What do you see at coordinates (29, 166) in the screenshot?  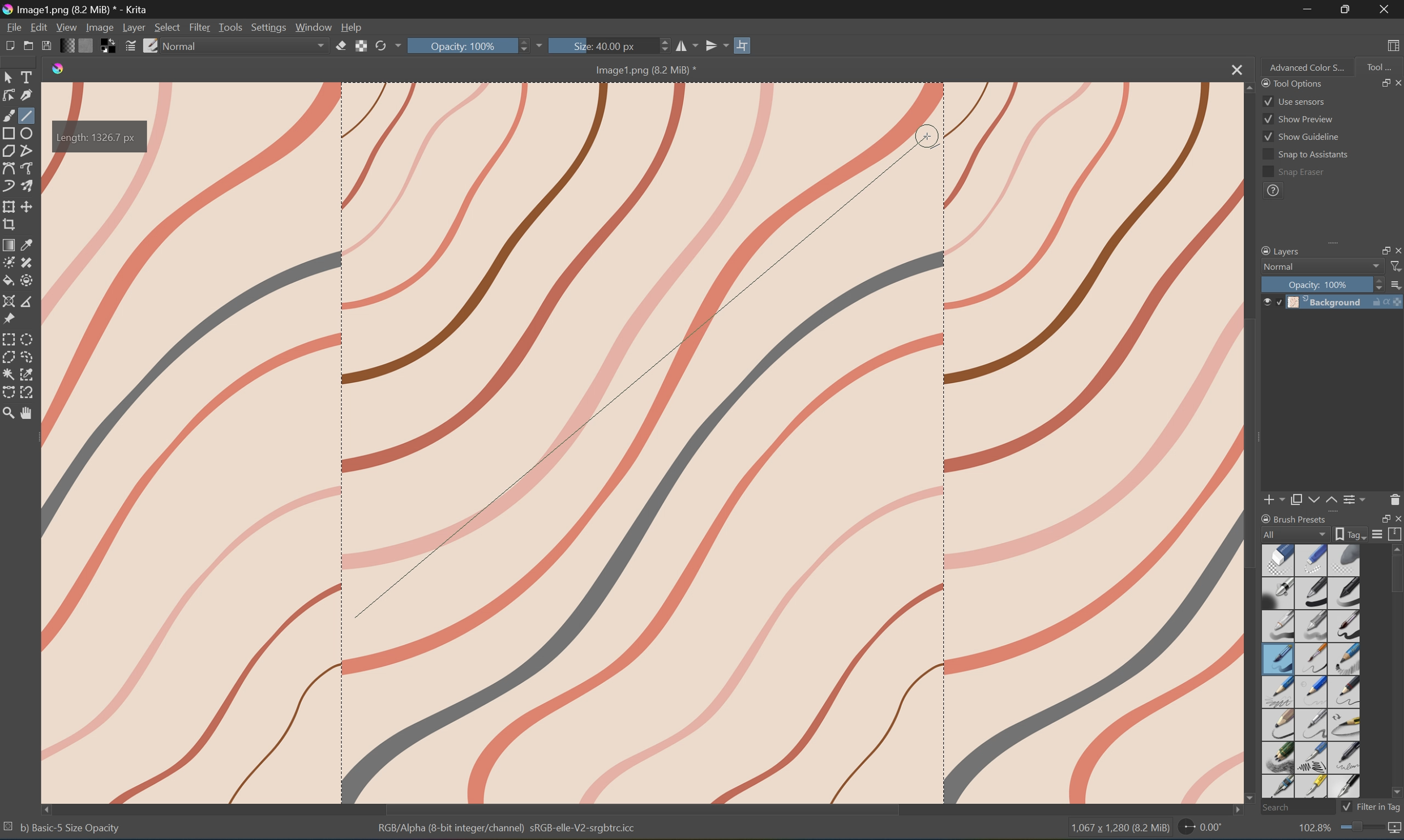 I see `Freehand path tool` at bounding box center [29, 166].